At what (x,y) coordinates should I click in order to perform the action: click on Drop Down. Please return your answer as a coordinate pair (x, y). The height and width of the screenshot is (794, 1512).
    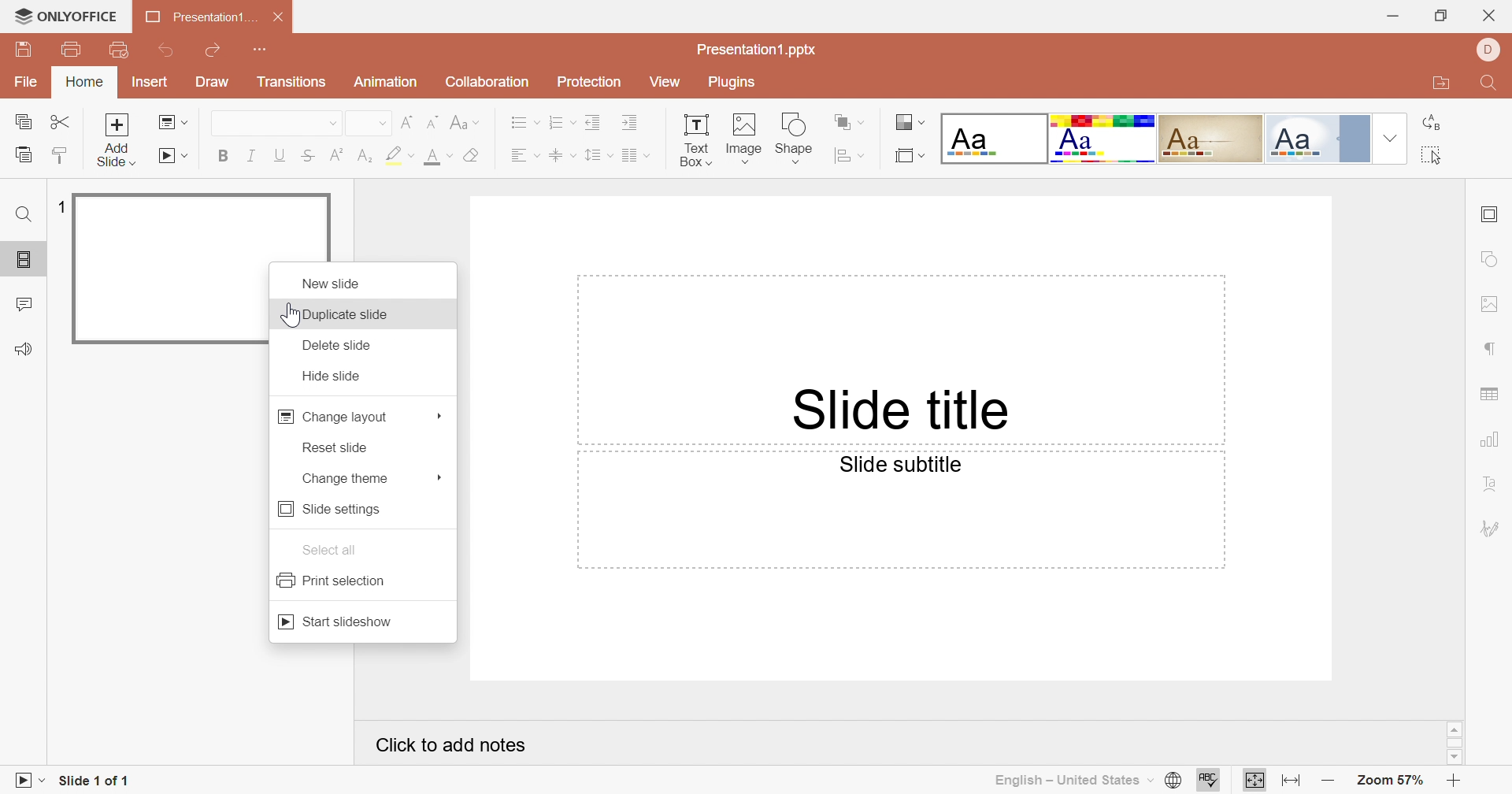
    Looking at the image, I should click on (1151, 781).